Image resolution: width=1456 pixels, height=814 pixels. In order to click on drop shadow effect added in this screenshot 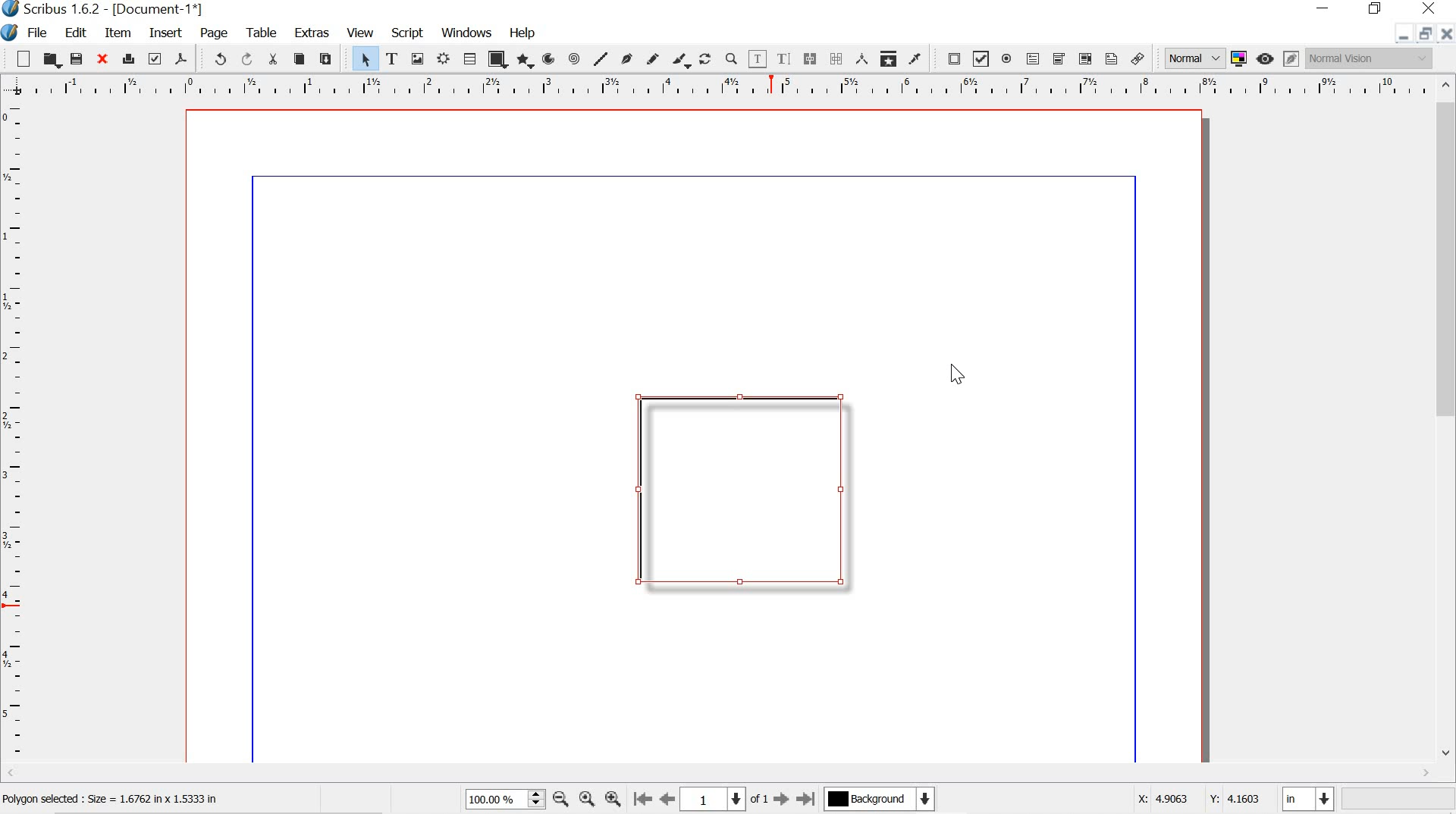, I will do `click(742, 493)`.